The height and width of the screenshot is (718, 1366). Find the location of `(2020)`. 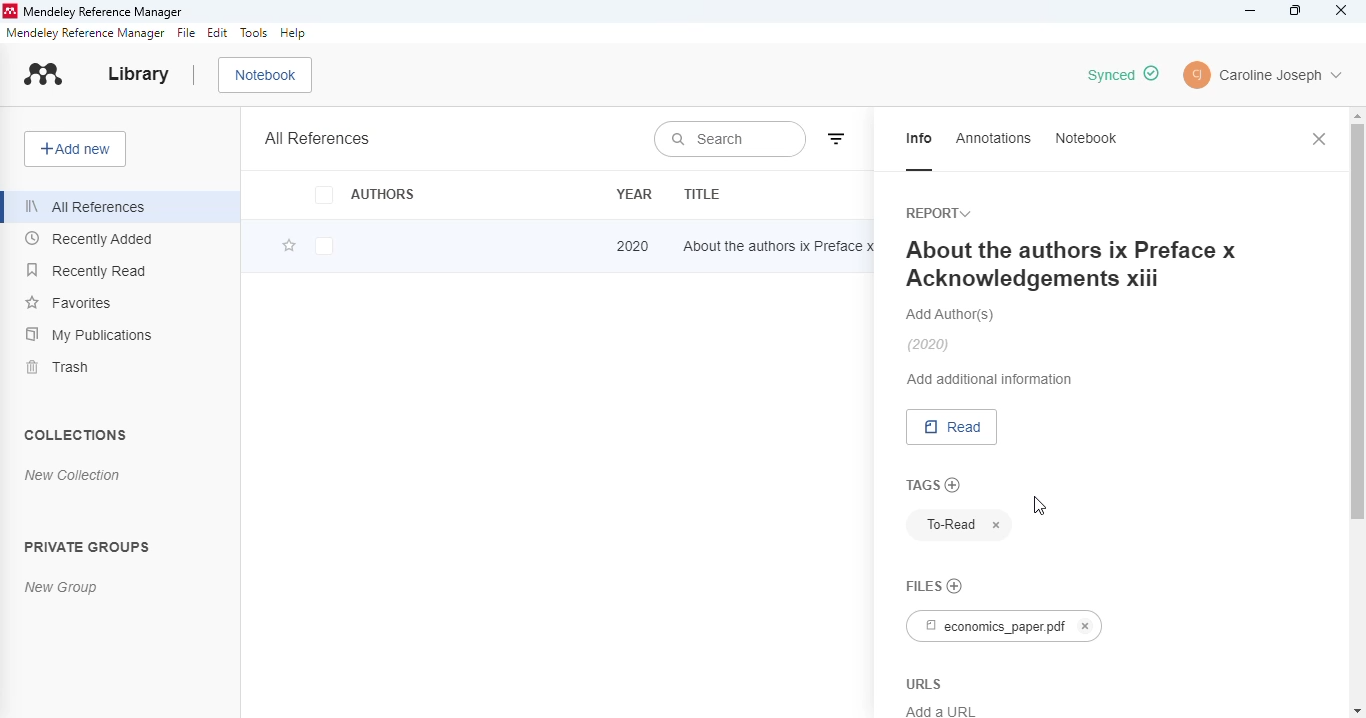

(2020) is located at coordinates (929, 345).